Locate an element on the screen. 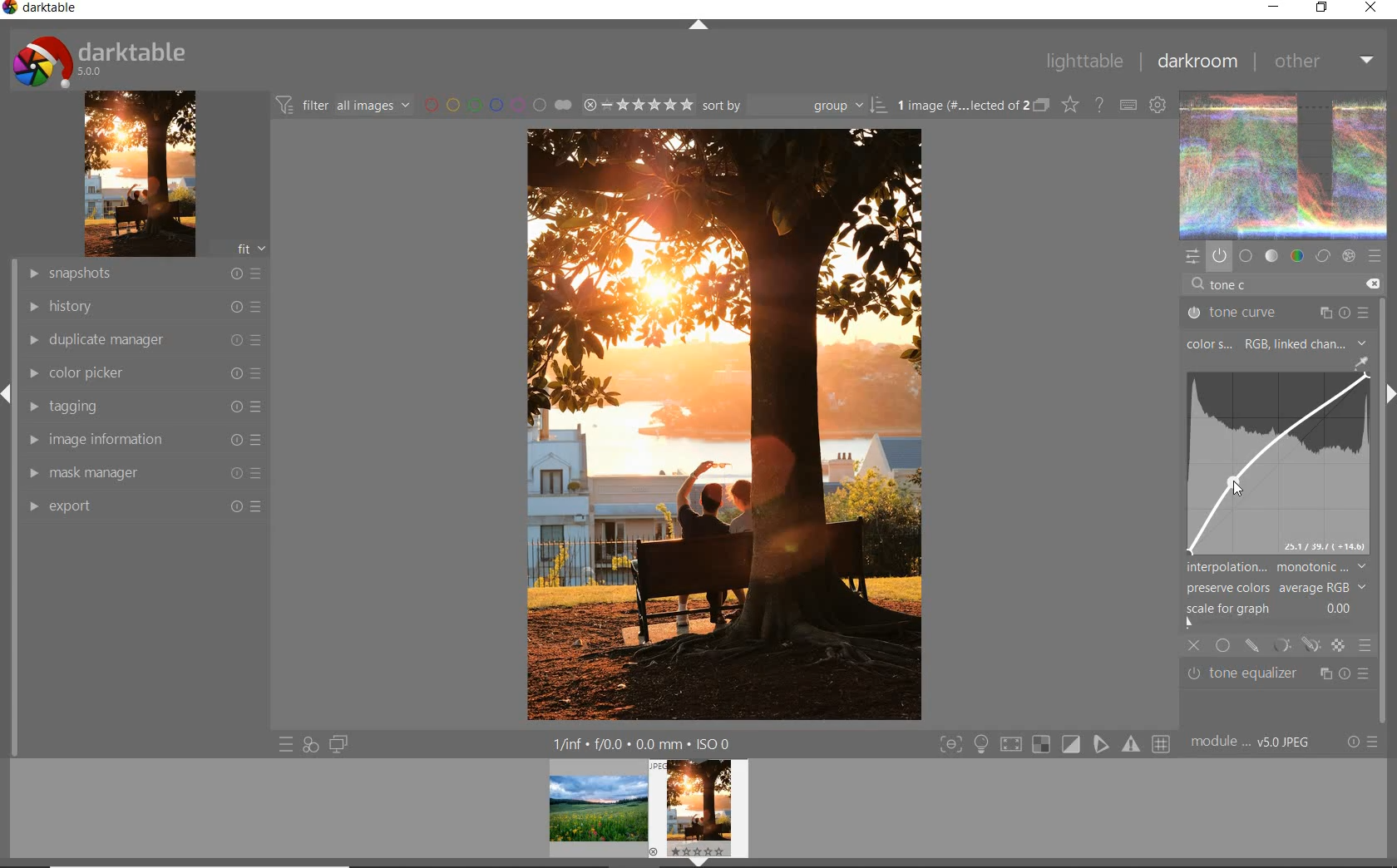 Image resolution: width=1397 pixels, height=868 pixels. selected image is located at coordinates (706, 426).